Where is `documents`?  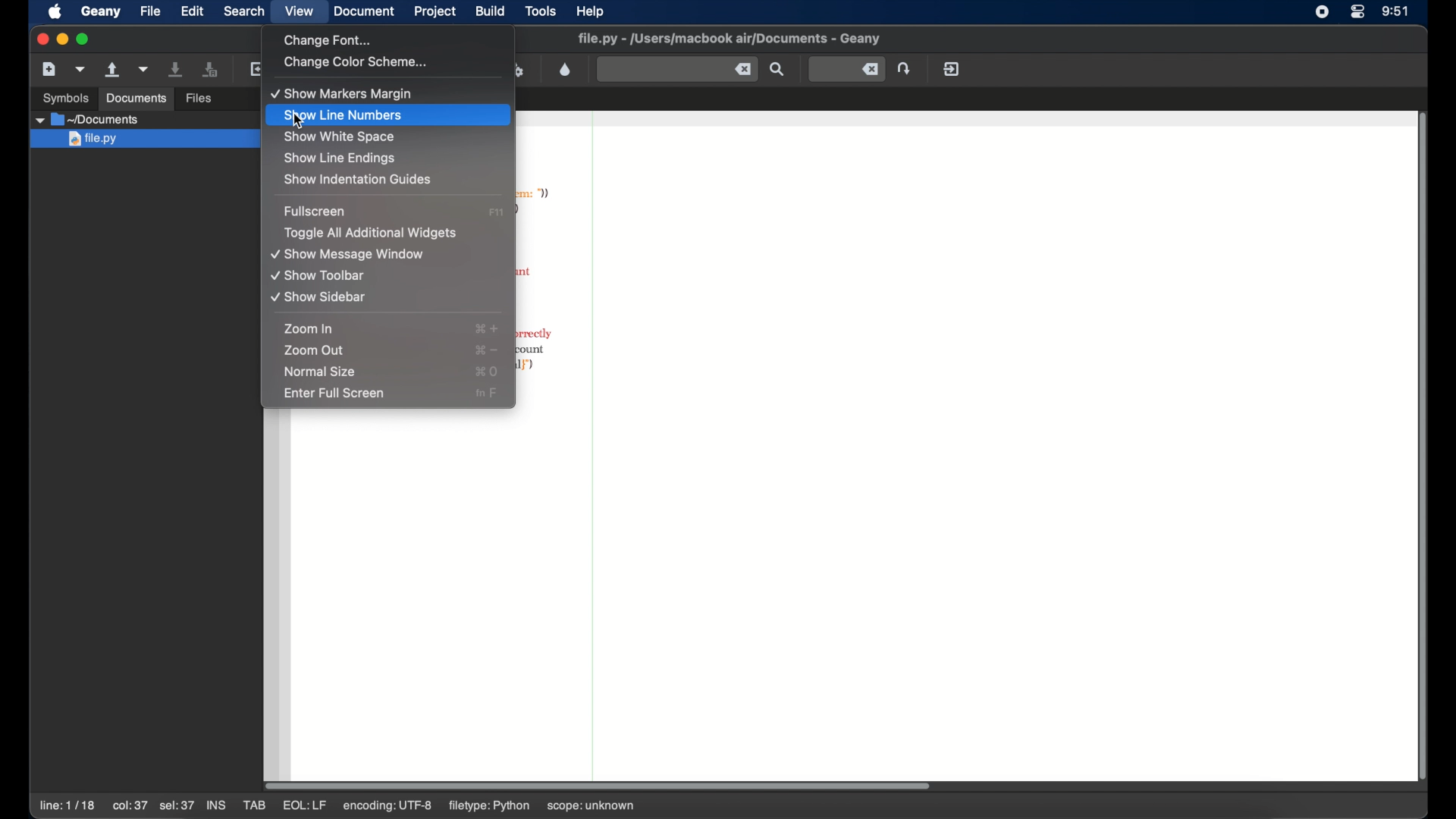 documents is located at coordinates (136, 99).